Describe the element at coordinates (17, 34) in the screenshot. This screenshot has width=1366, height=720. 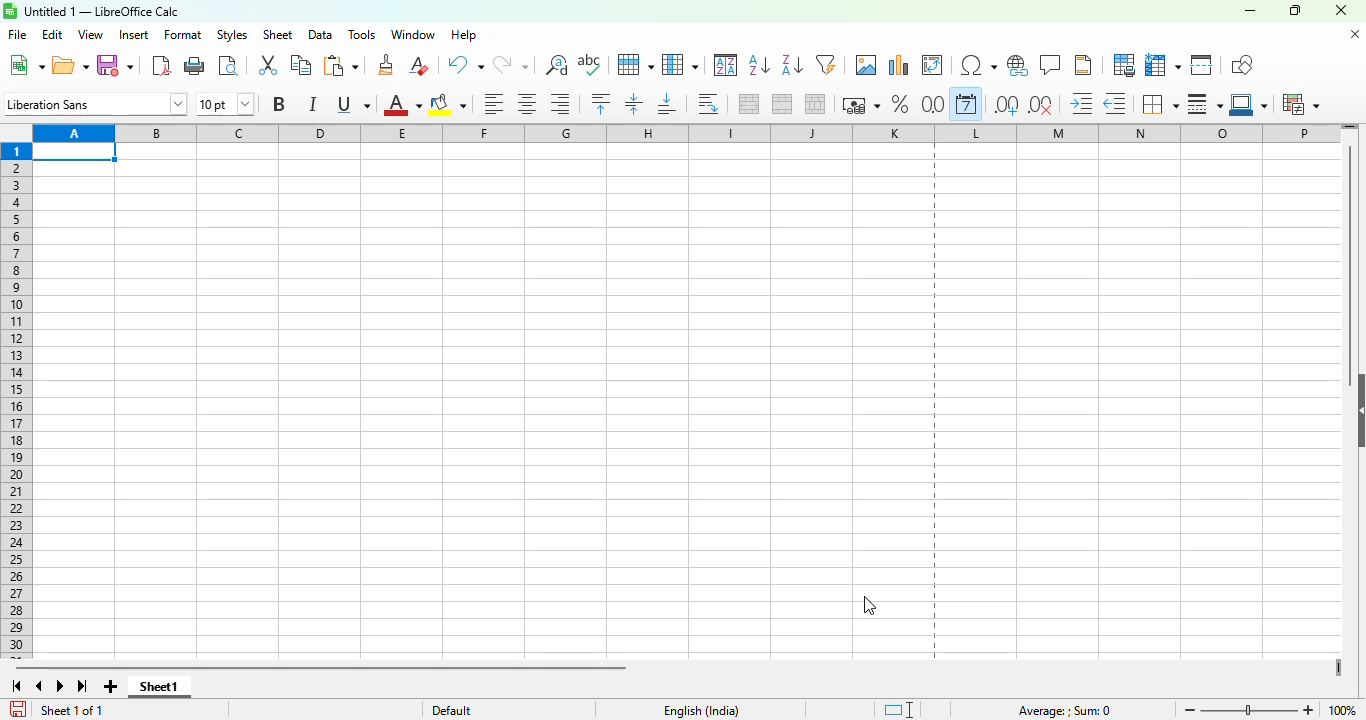
I see `file` at that location.